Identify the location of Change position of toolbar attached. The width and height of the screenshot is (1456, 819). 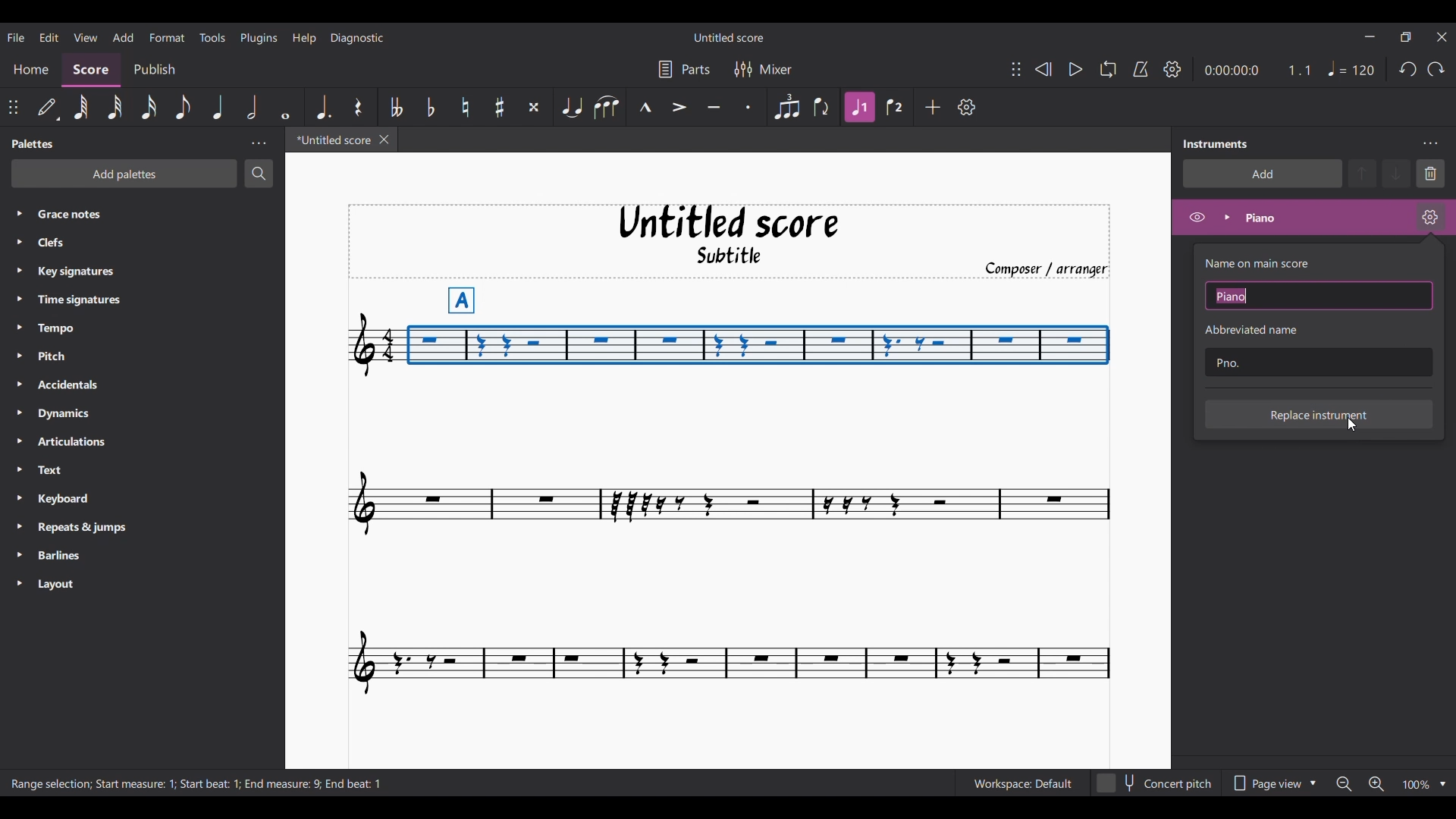
(1016, 69).